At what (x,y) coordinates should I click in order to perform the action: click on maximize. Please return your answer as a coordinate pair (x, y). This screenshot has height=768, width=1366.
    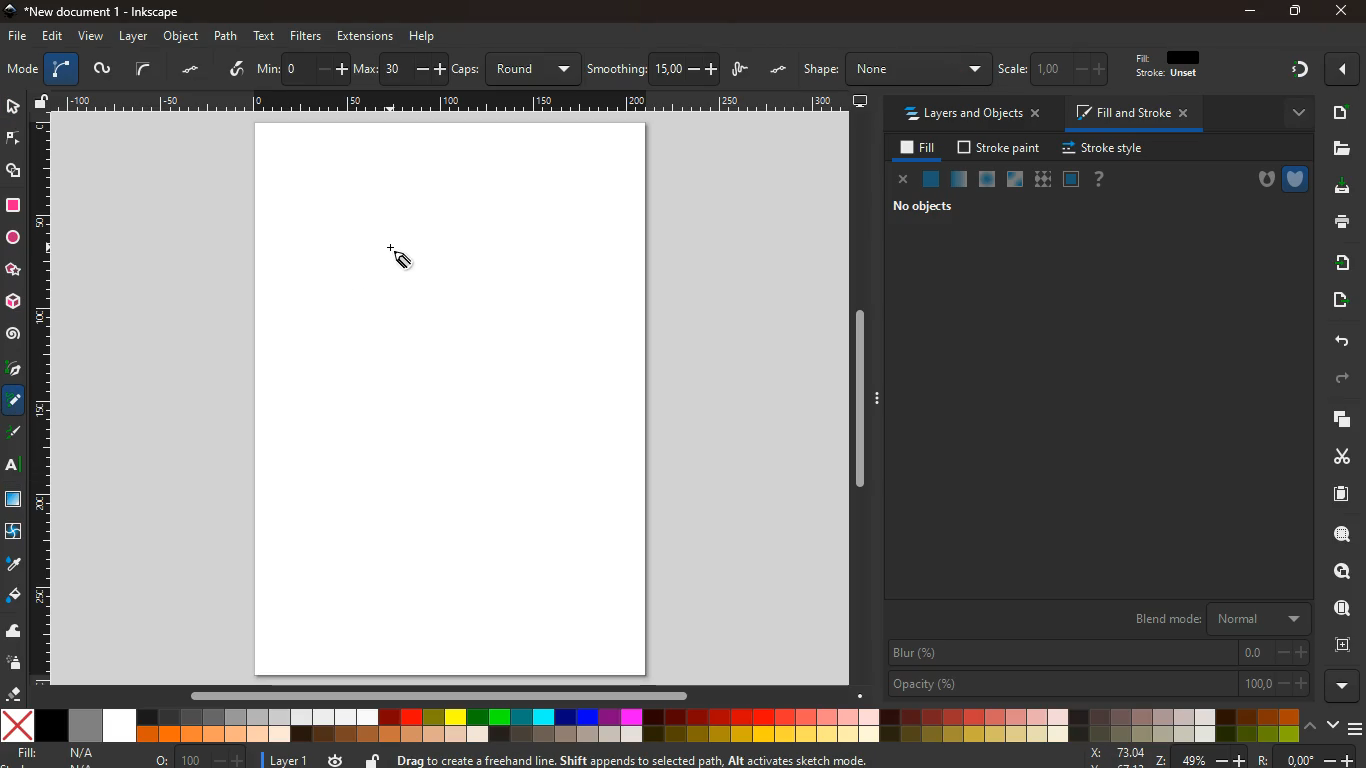
    Looking at the image, I should click on (1296, 13).